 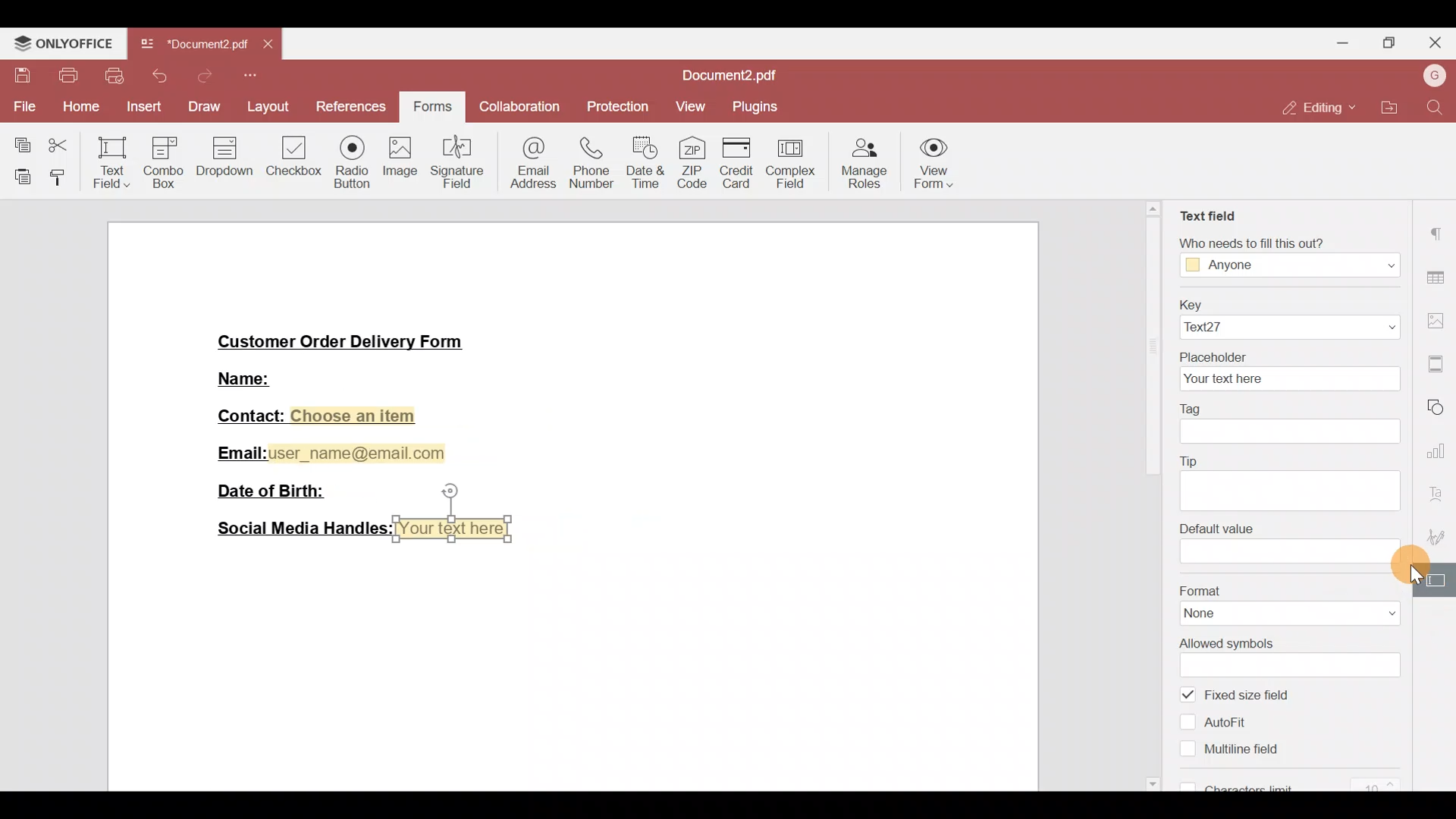 I want to click on Image, so click(x=398, y=160).